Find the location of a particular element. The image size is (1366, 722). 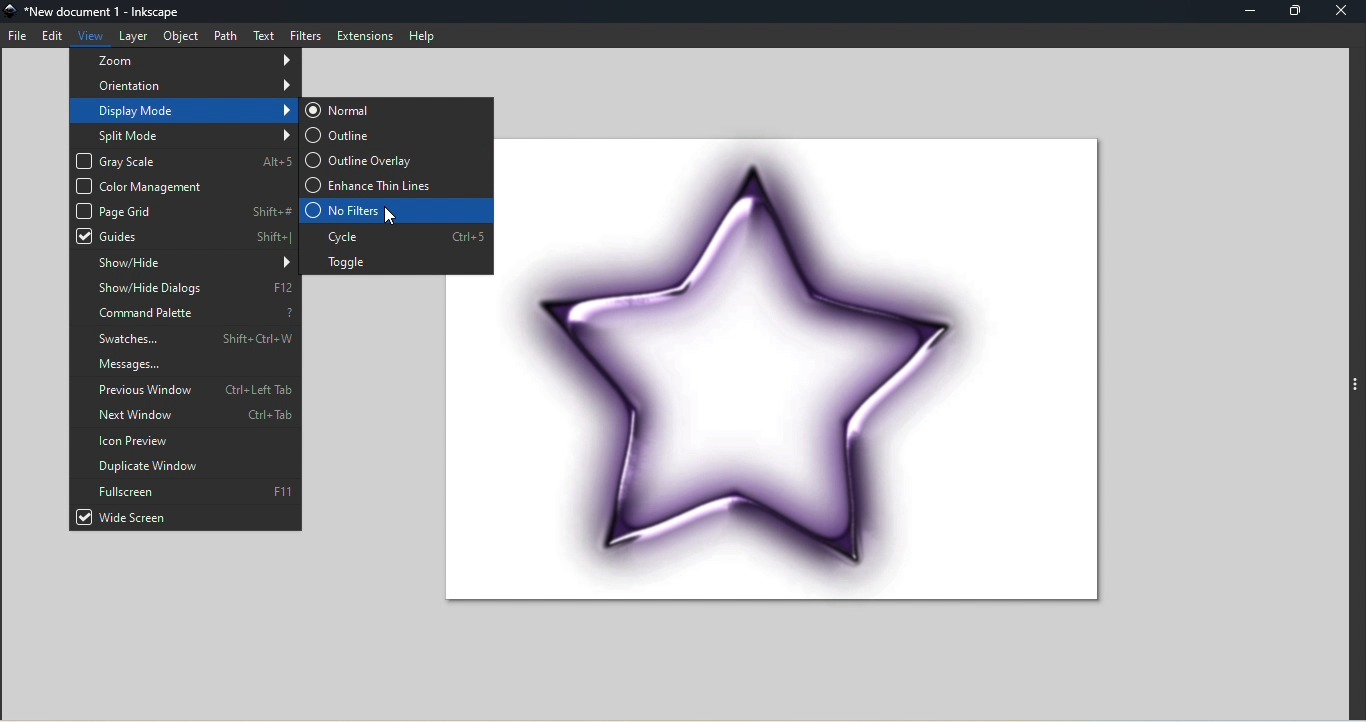

Gray scale is located at coordinates (184, 160).